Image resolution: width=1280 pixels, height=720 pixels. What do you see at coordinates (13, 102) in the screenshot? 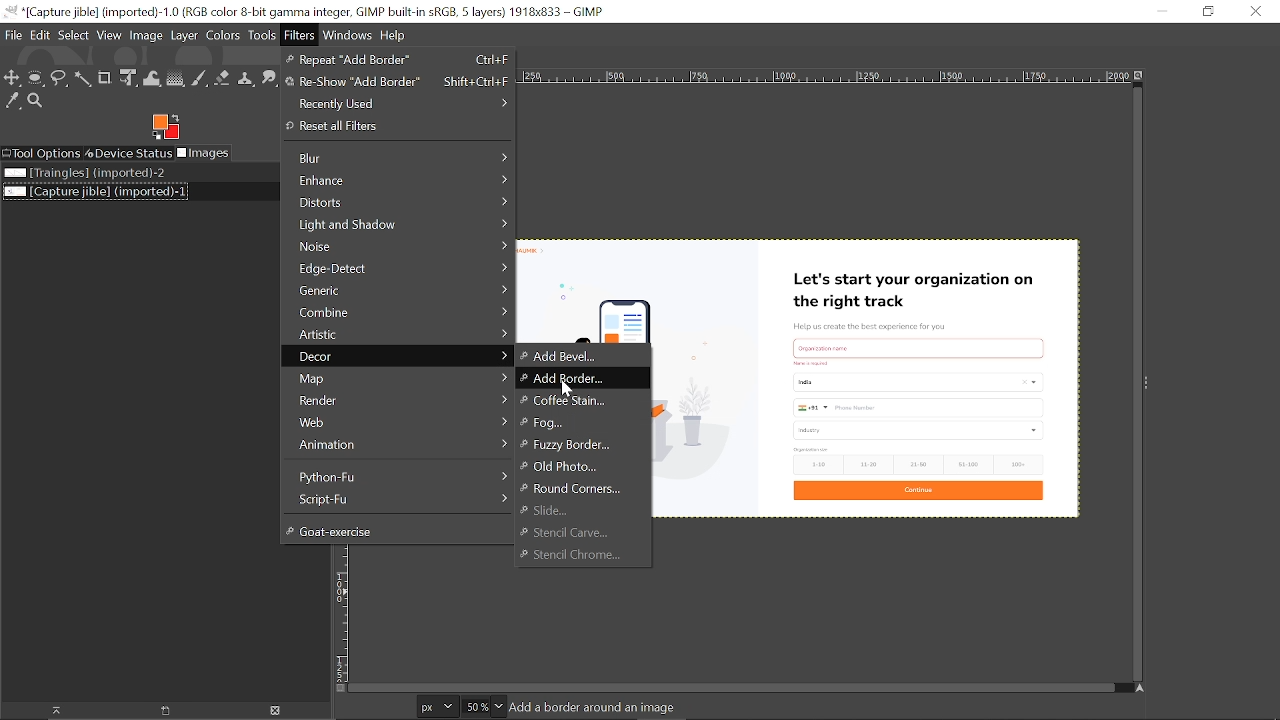
I see `Color picker tool` at bounding box center [13, 102].